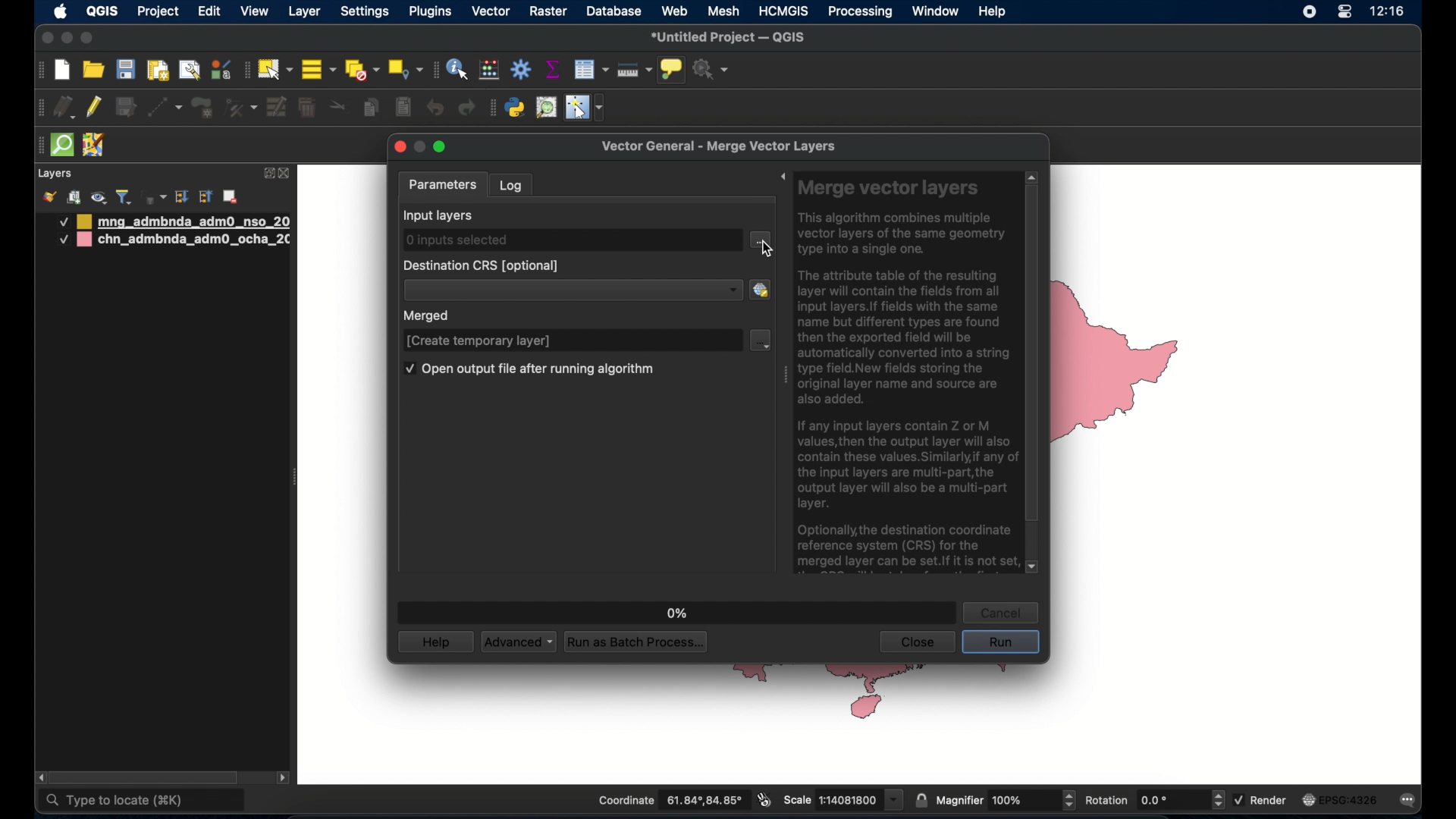 Image resolution: width=1456 pixels, height=819 pixels. What do you see at coordinates (586, 108) in the screenshot?
I see `switches mouse to configurable pointer` at bounding box center [586, 108].